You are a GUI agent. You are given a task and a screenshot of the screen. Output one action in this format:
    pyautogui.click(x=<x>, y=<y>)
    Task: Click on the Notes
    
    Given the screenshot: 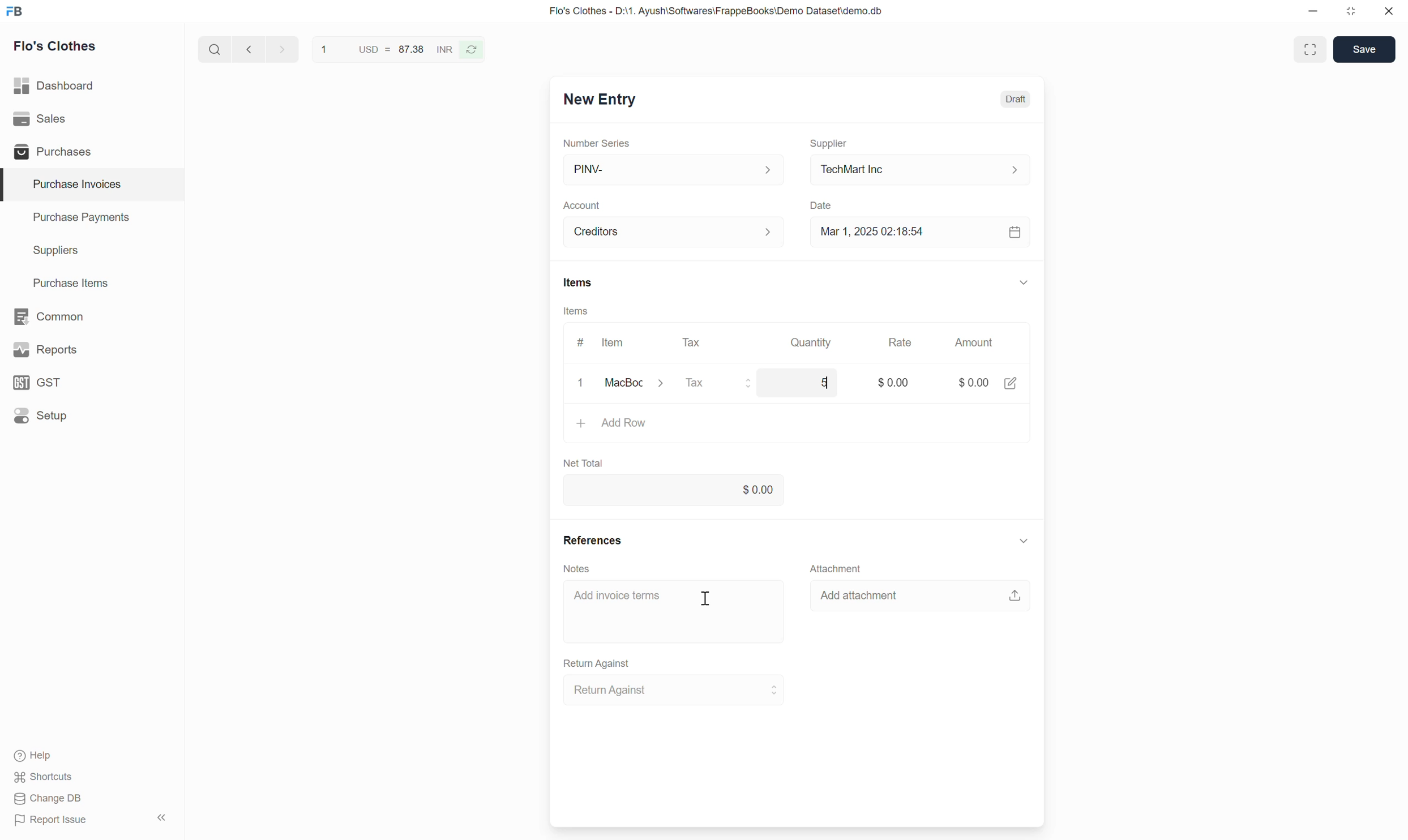 What is the action you would take?
    pyautogui.click(x=577, y=569)
    